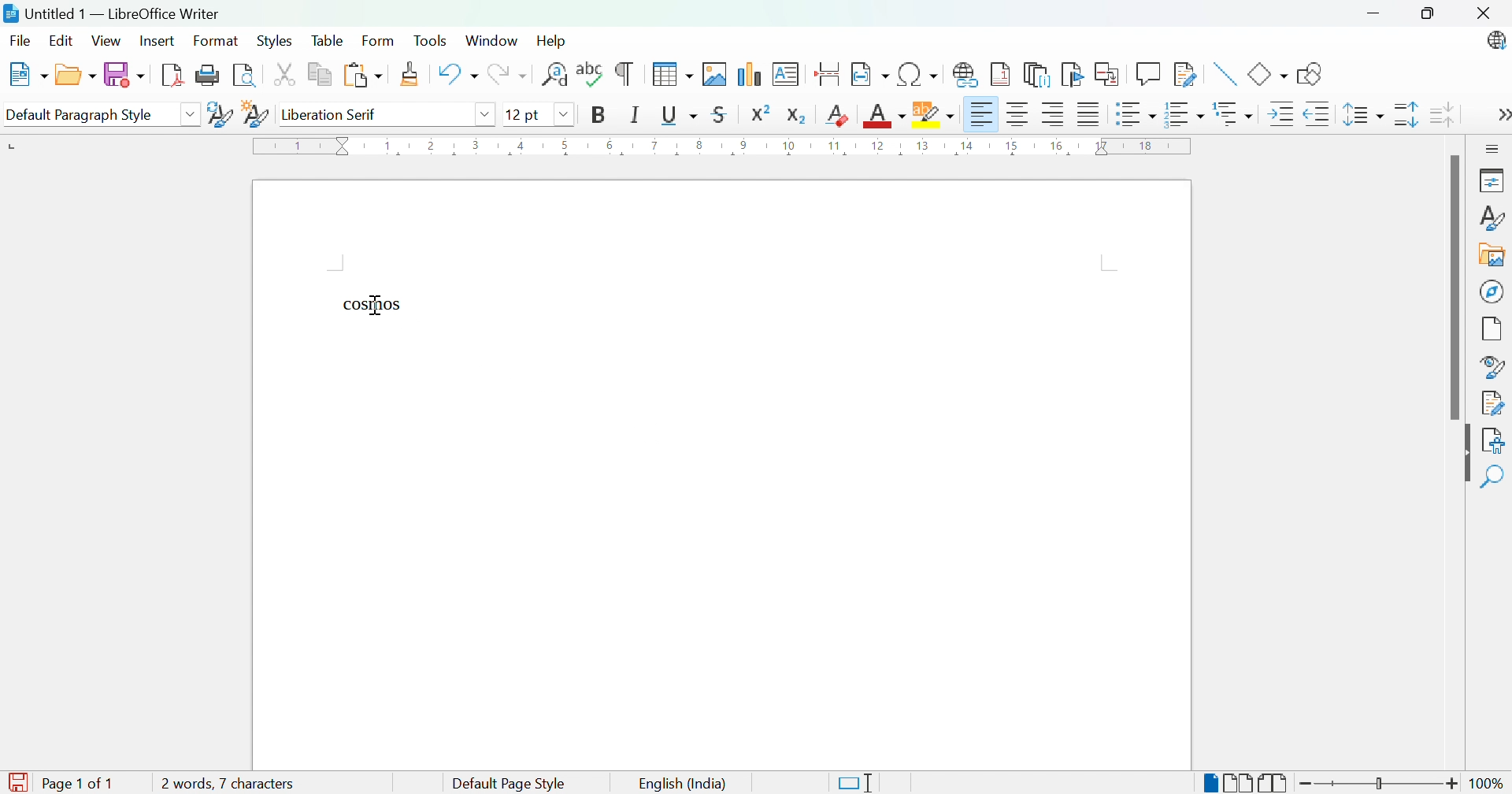 The image size is (1512, 794). I want to click on Insert, so click(159, 40).